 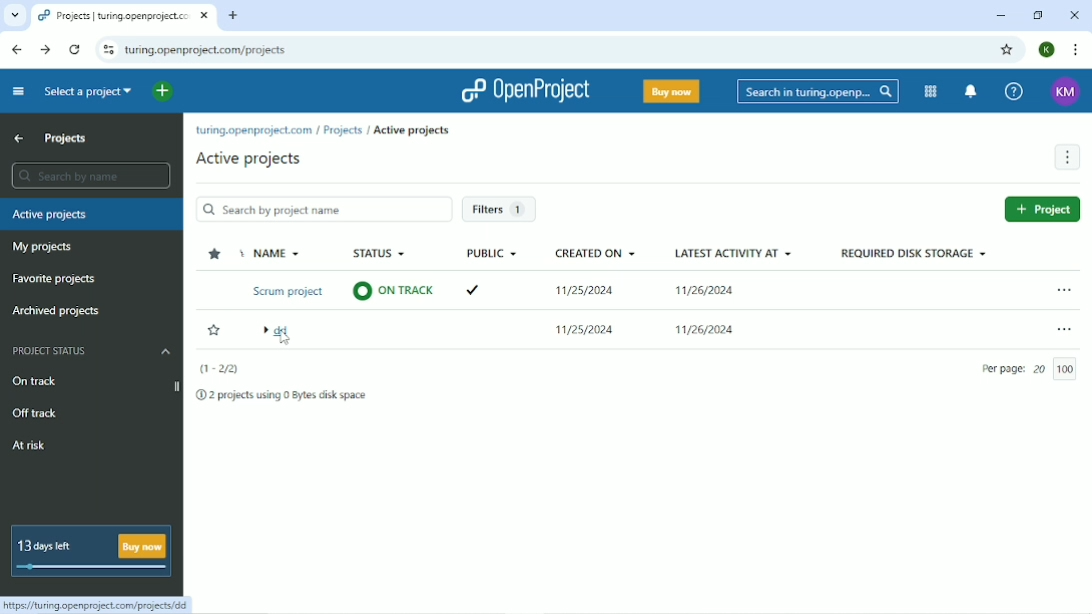 I want to click on Public, so click(x=490, y=254).